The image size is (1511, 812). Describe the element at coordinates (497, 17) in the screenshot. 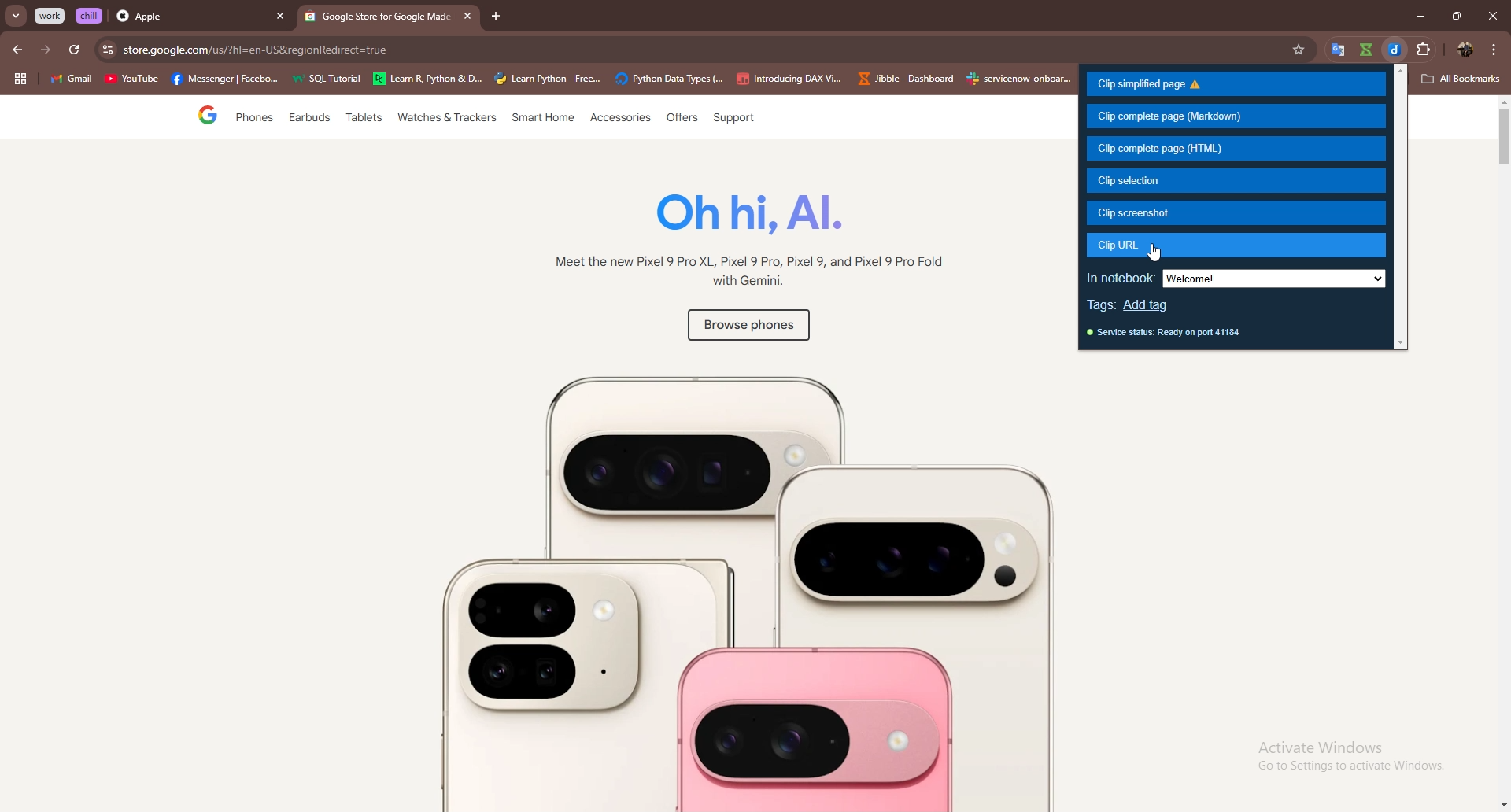

I see `add tab` at that location.